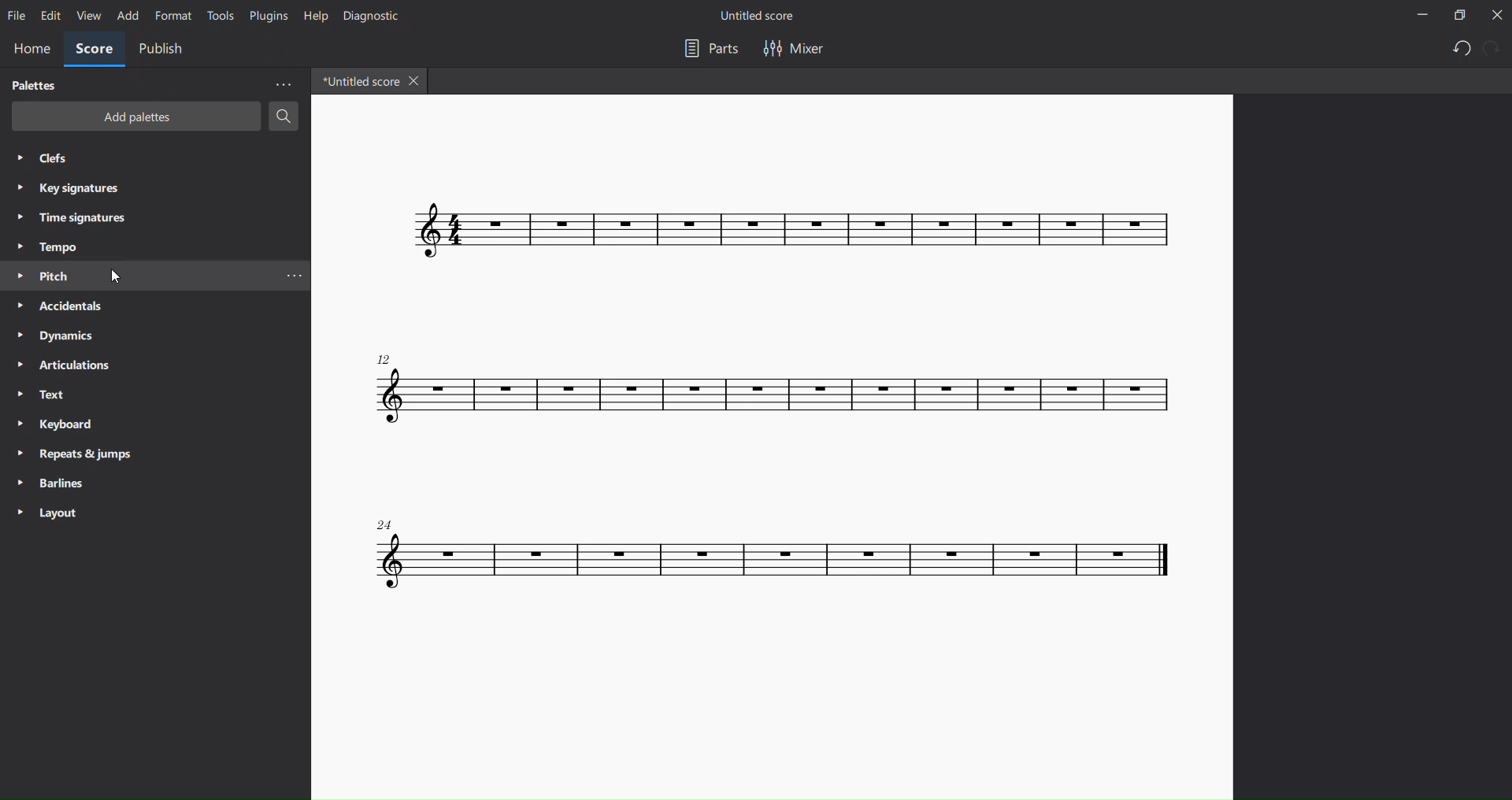 This screenshot has height=800, width=1512. What do you see at coordinates (315, 17) in the screenshot?
I see `help` at bounding box center [315, 17].